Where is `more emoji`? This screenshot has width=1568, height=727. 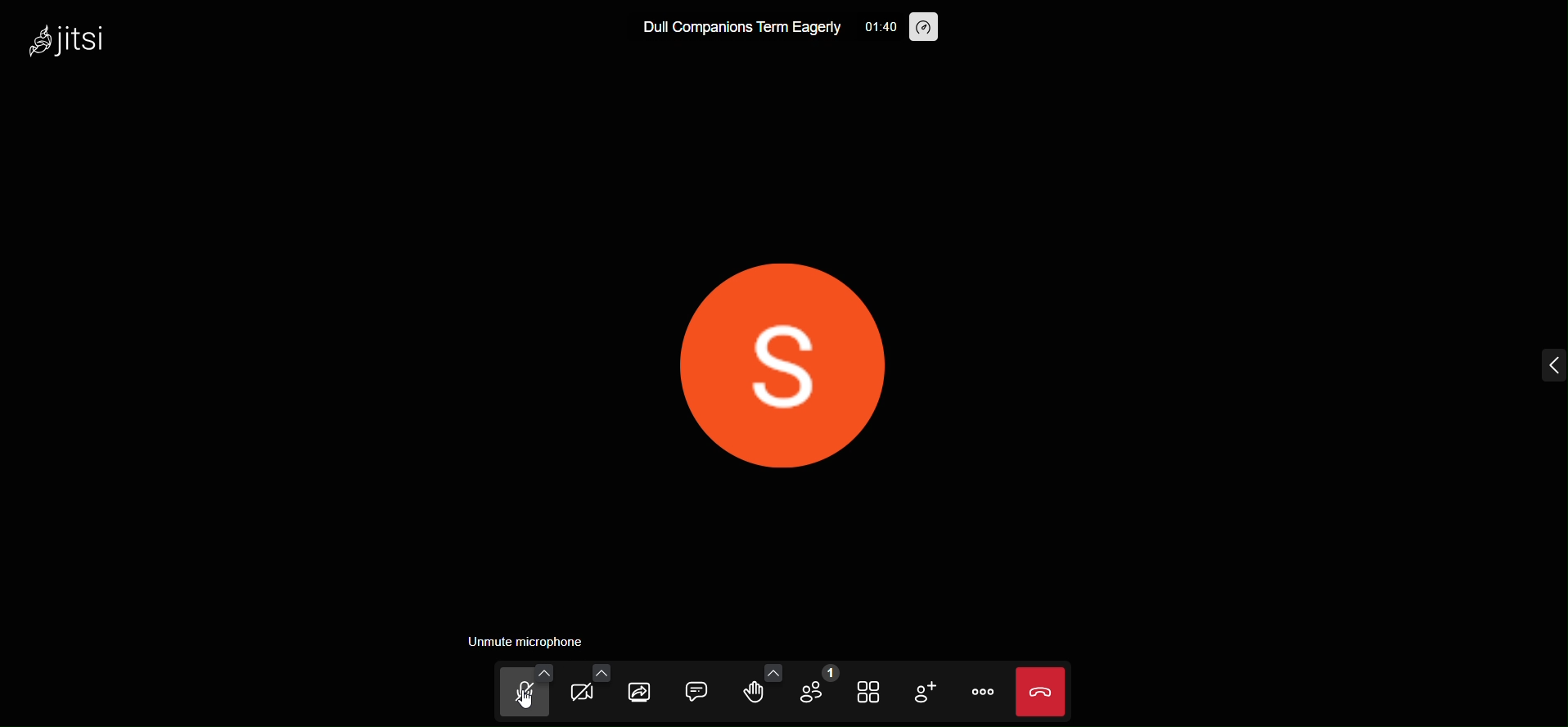
more emoji is located at coordinates (775, 671).